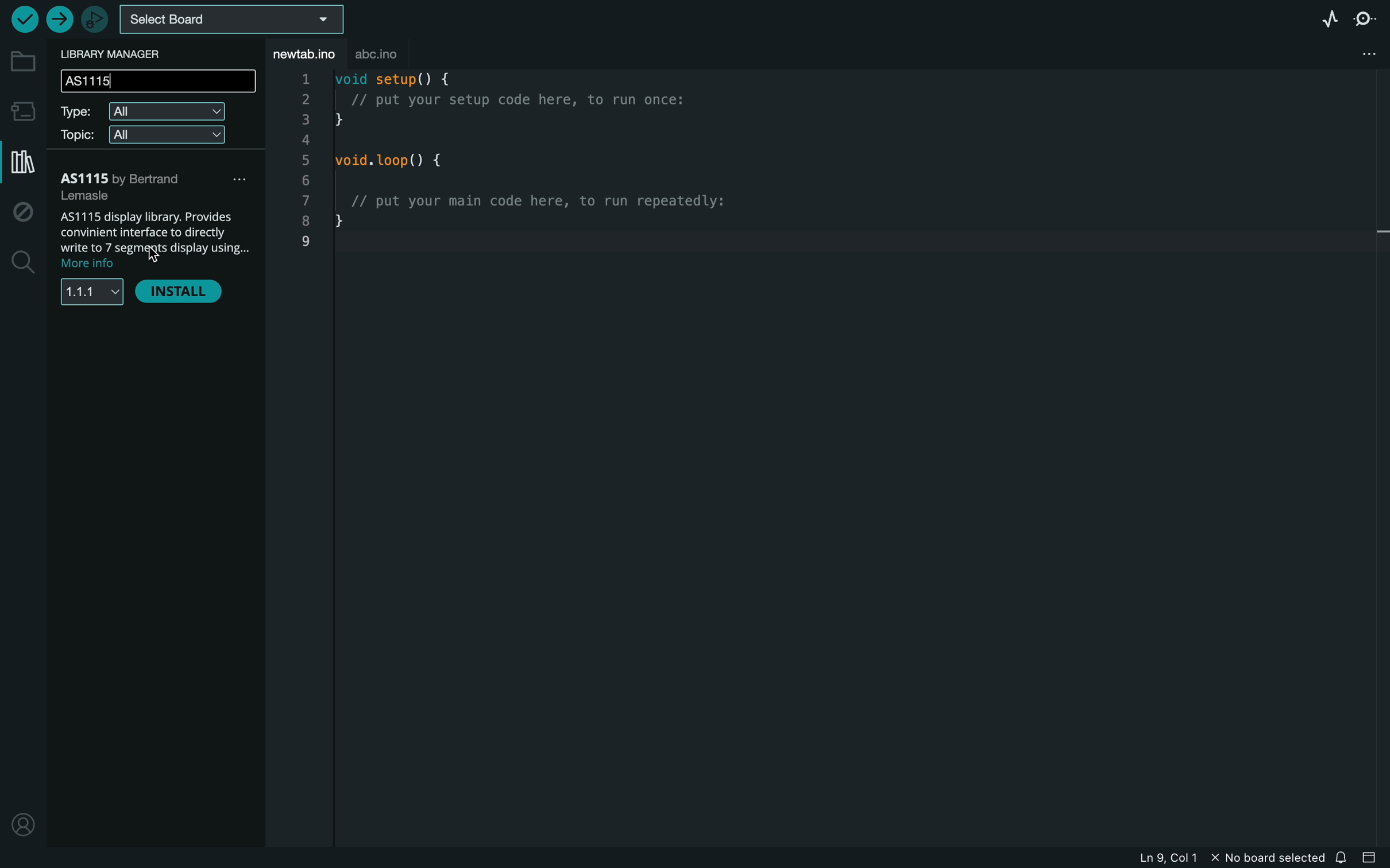  Describe the element at coordinates (1181, 859) in the screenshot. I see `file information` at that location.